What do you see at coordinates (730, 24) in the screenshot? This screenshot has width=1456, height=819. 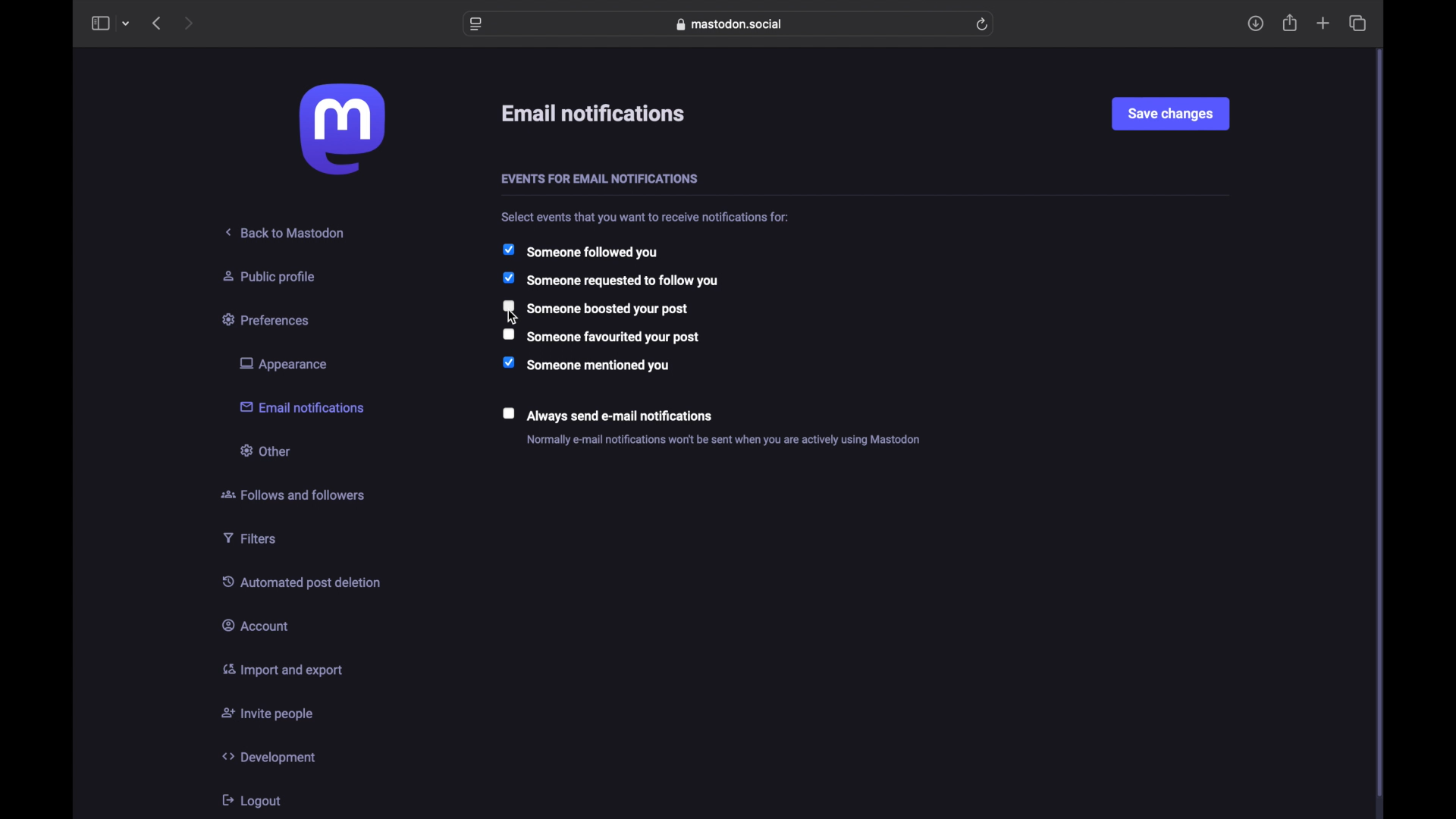 I see `web address` at bounding box center [730, 24].